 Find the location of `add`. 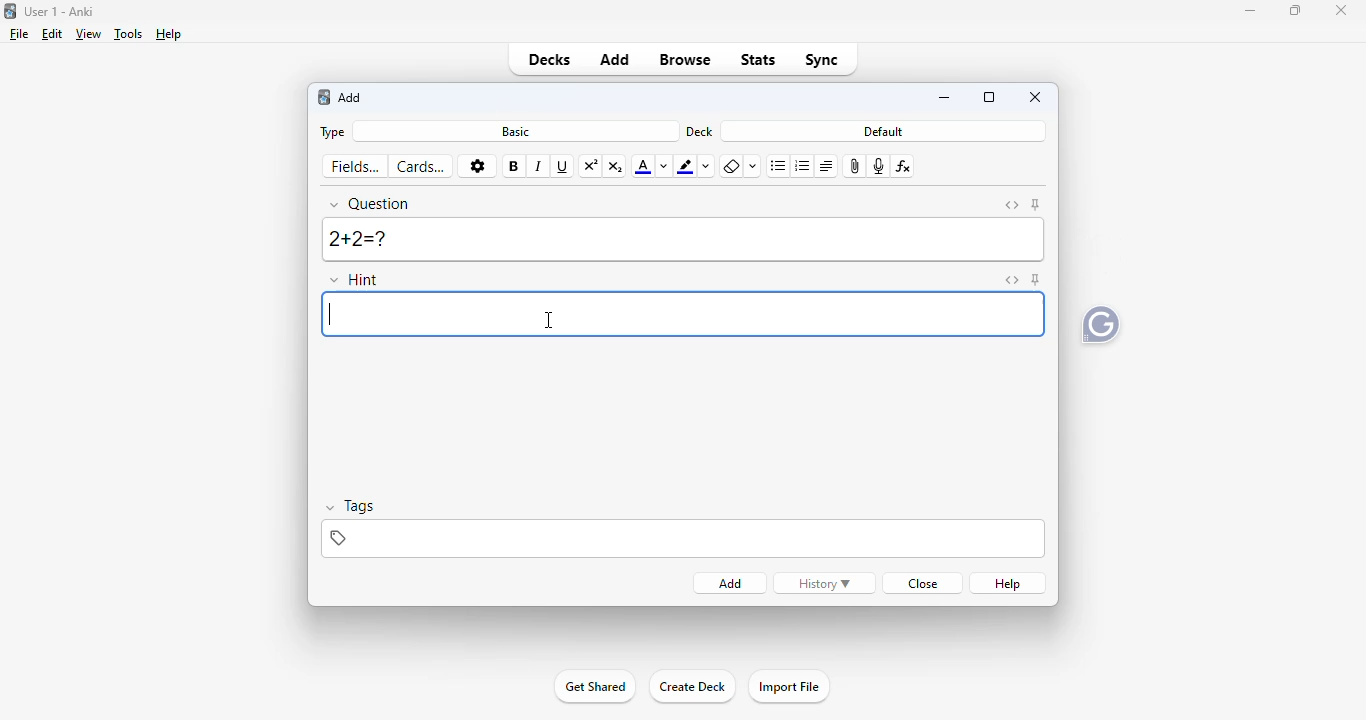

add is located at coordinates (615, 59).